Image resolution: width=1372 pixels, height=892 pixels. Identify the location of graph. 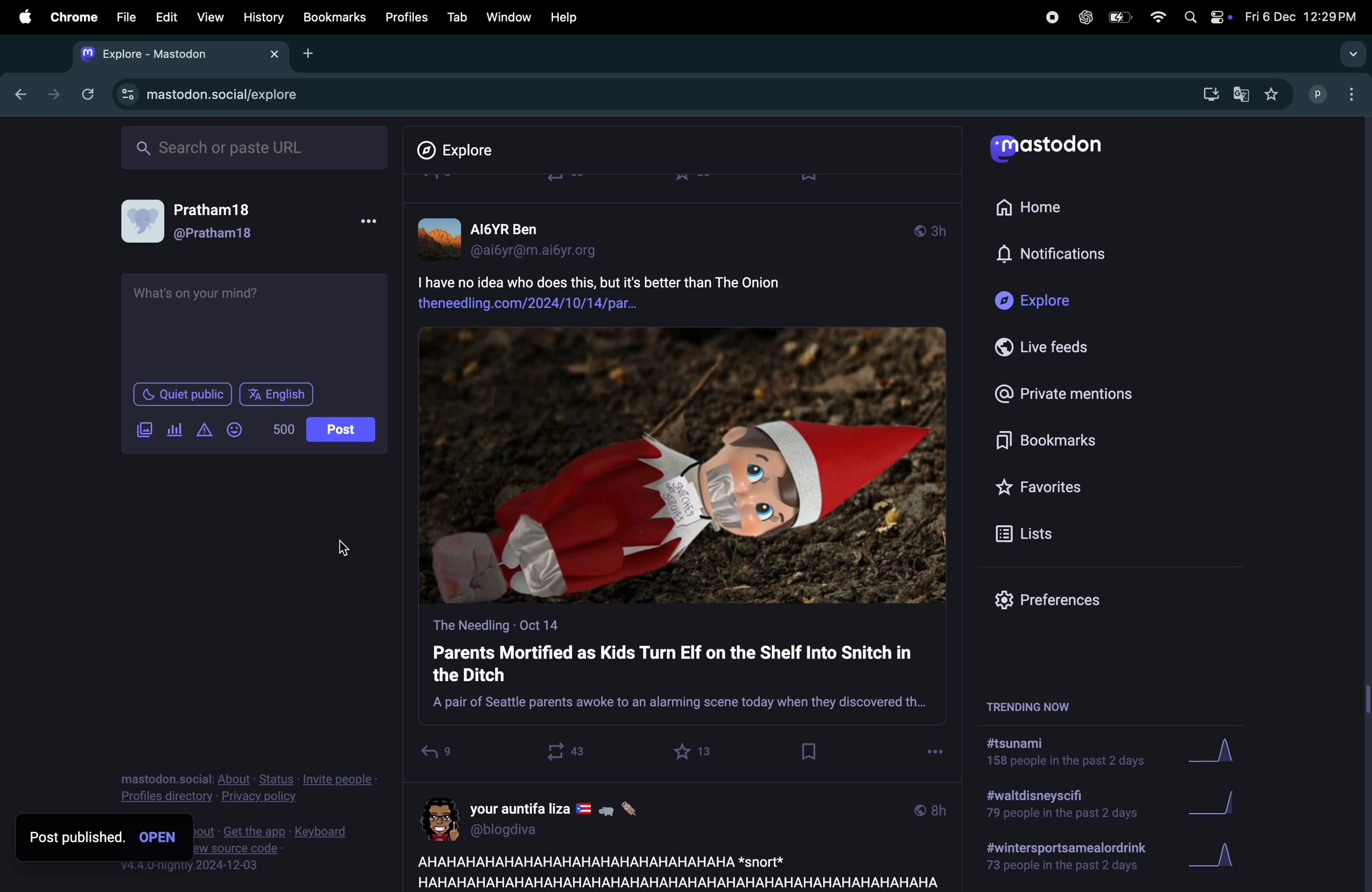
(1222, 753).